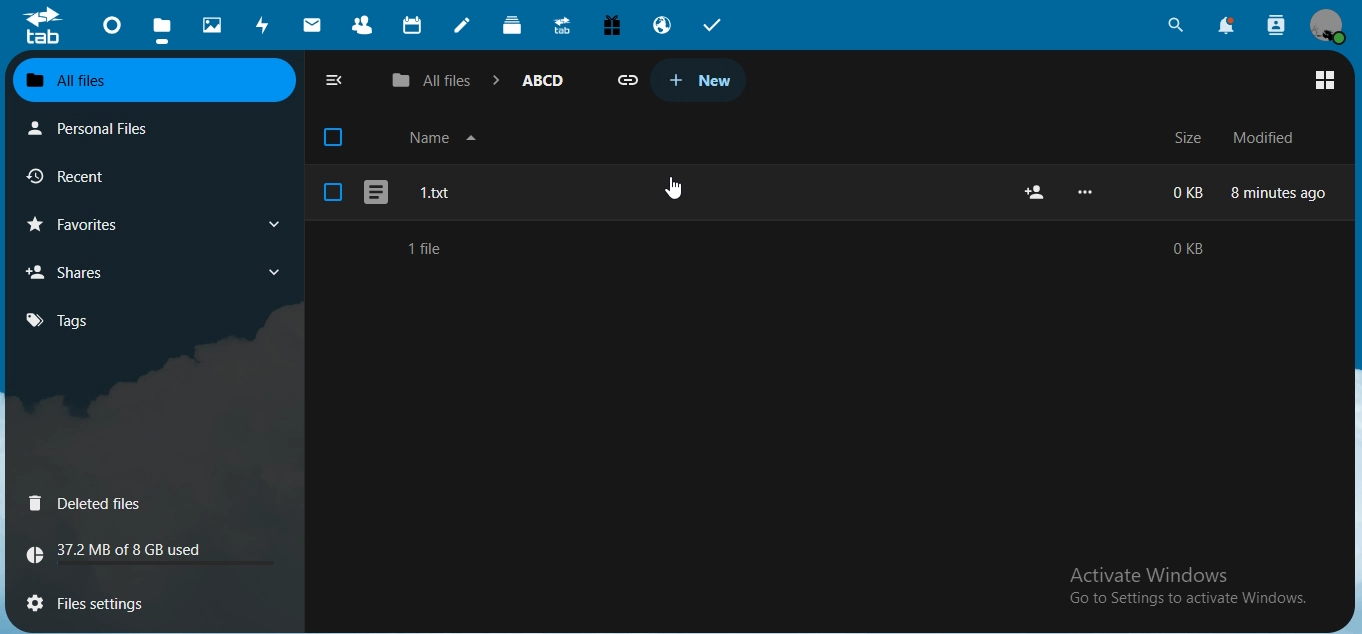 The width and height of the screenshot is (1362, 634). I want to click on size, so click(1185, 139).